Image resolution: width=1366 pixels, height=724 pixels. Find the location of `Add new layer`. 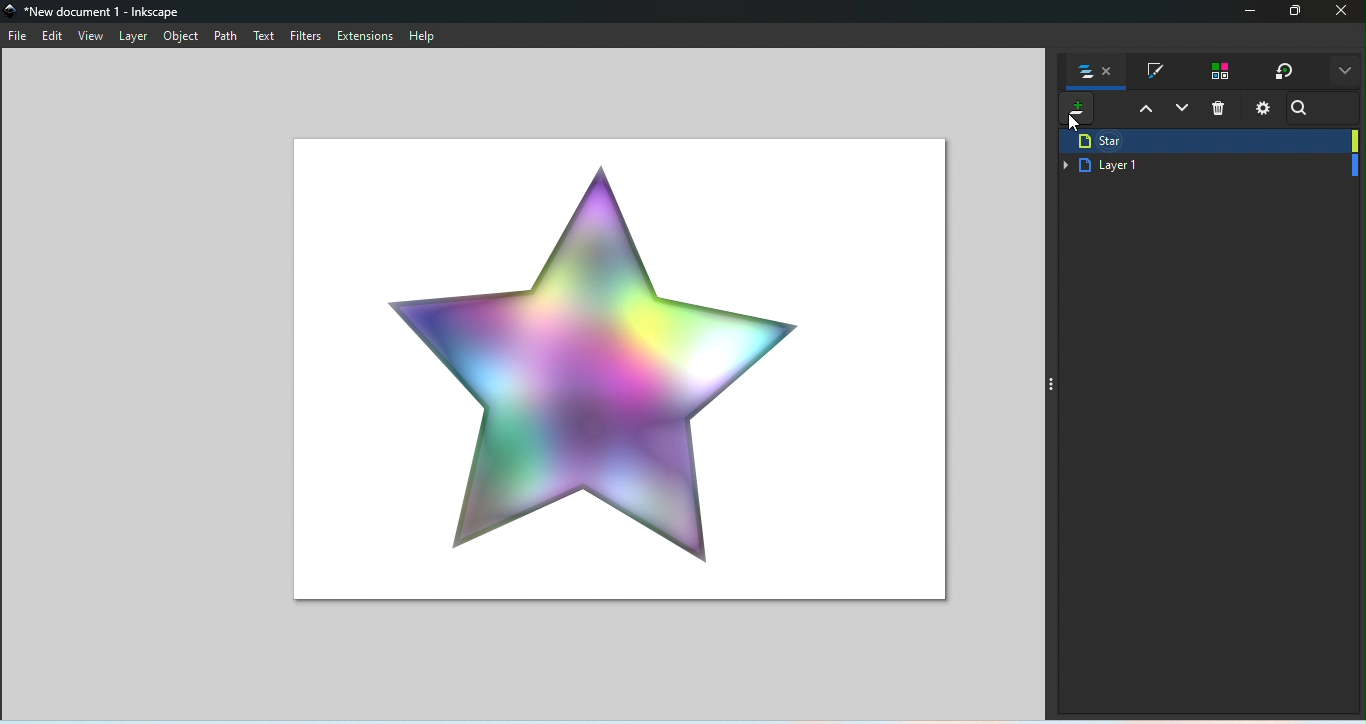

Add new layer is located at coordinates (1073, 111).